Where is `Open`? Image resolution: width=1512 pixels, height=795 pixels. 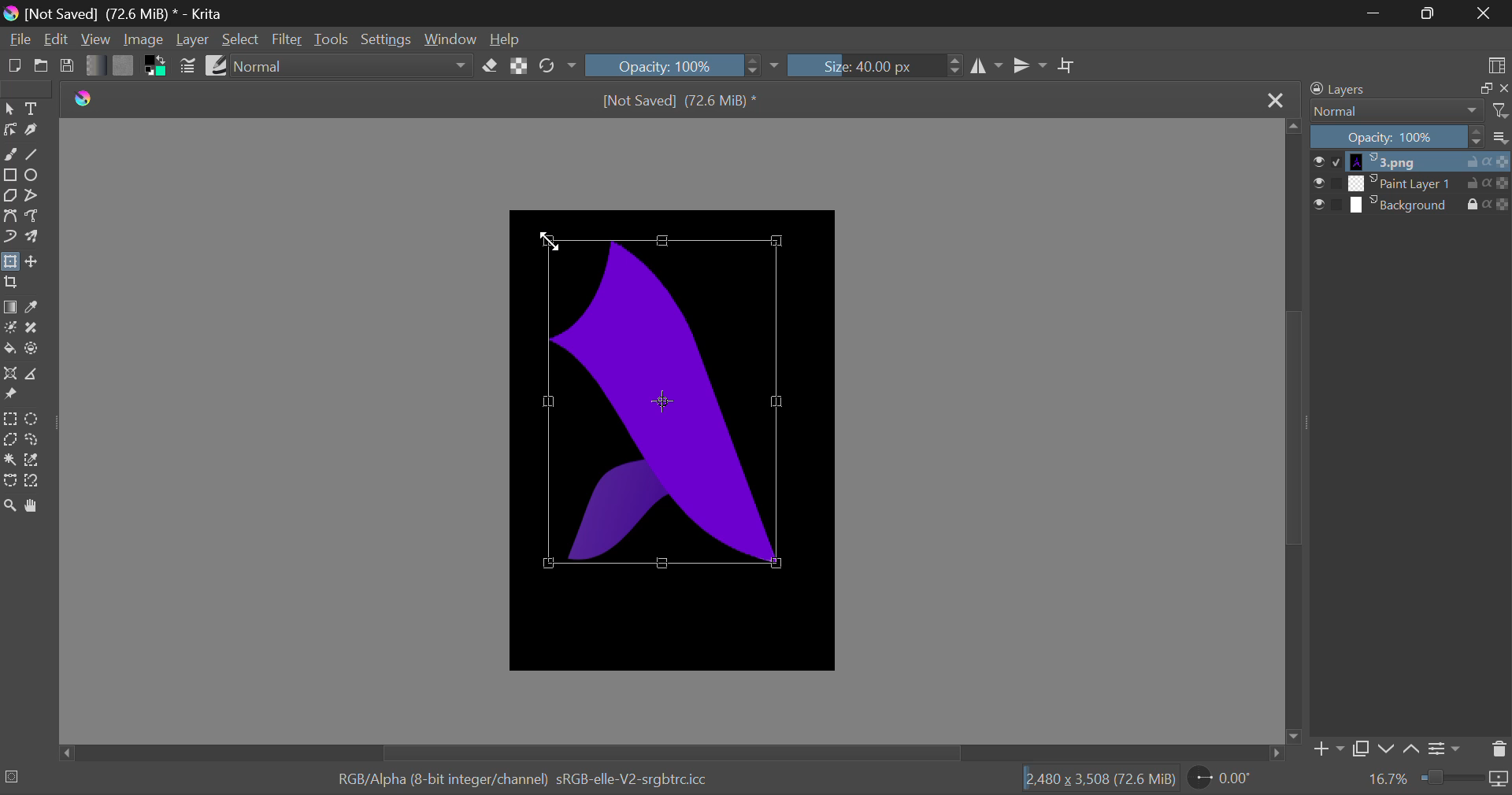
Open is located at coordinates (41, 66).